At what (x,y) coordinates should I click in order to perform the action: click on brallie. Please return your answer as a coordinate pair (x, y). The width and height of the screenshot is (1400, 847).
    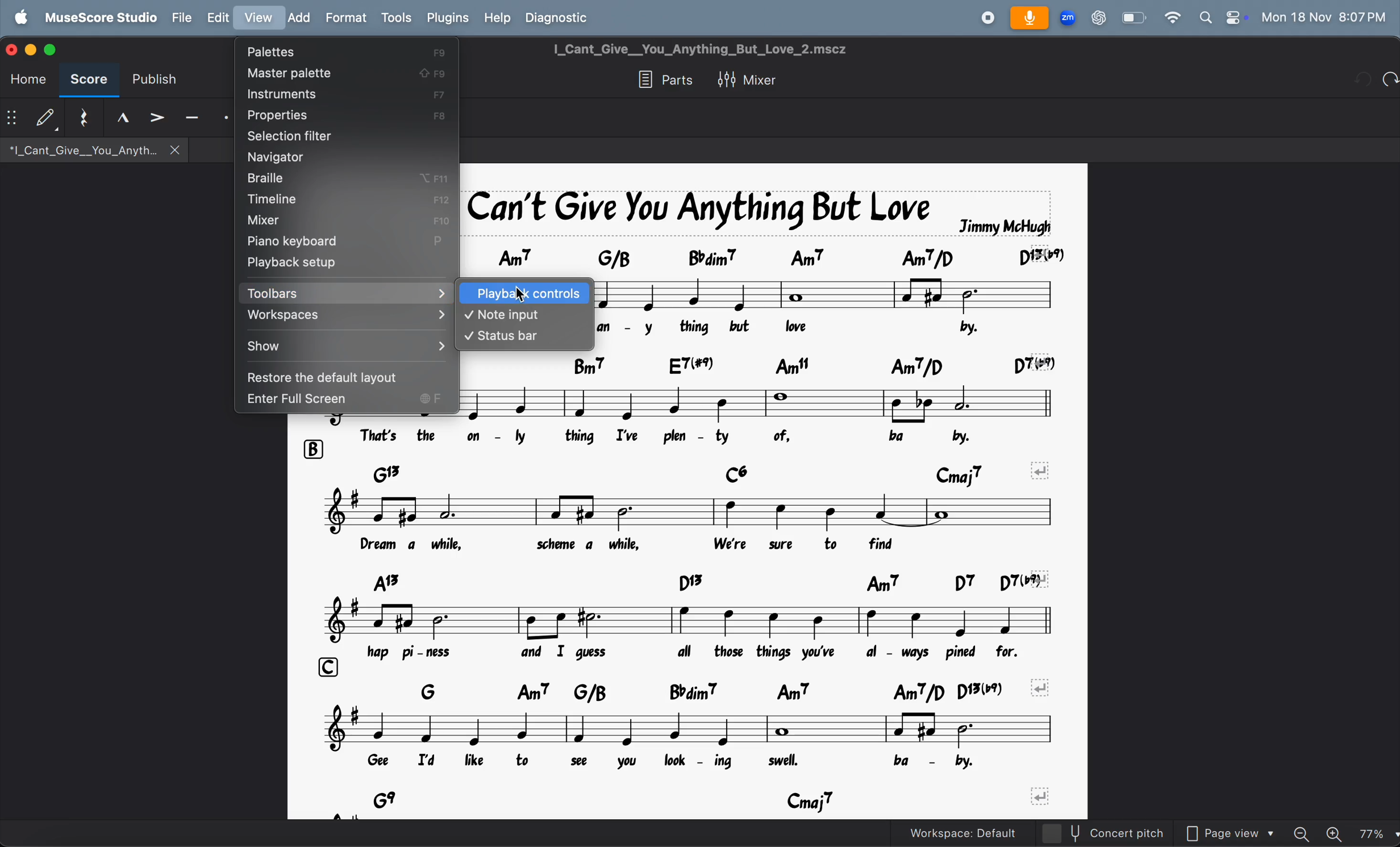
    Looking at the image, I should click on (340, 179).